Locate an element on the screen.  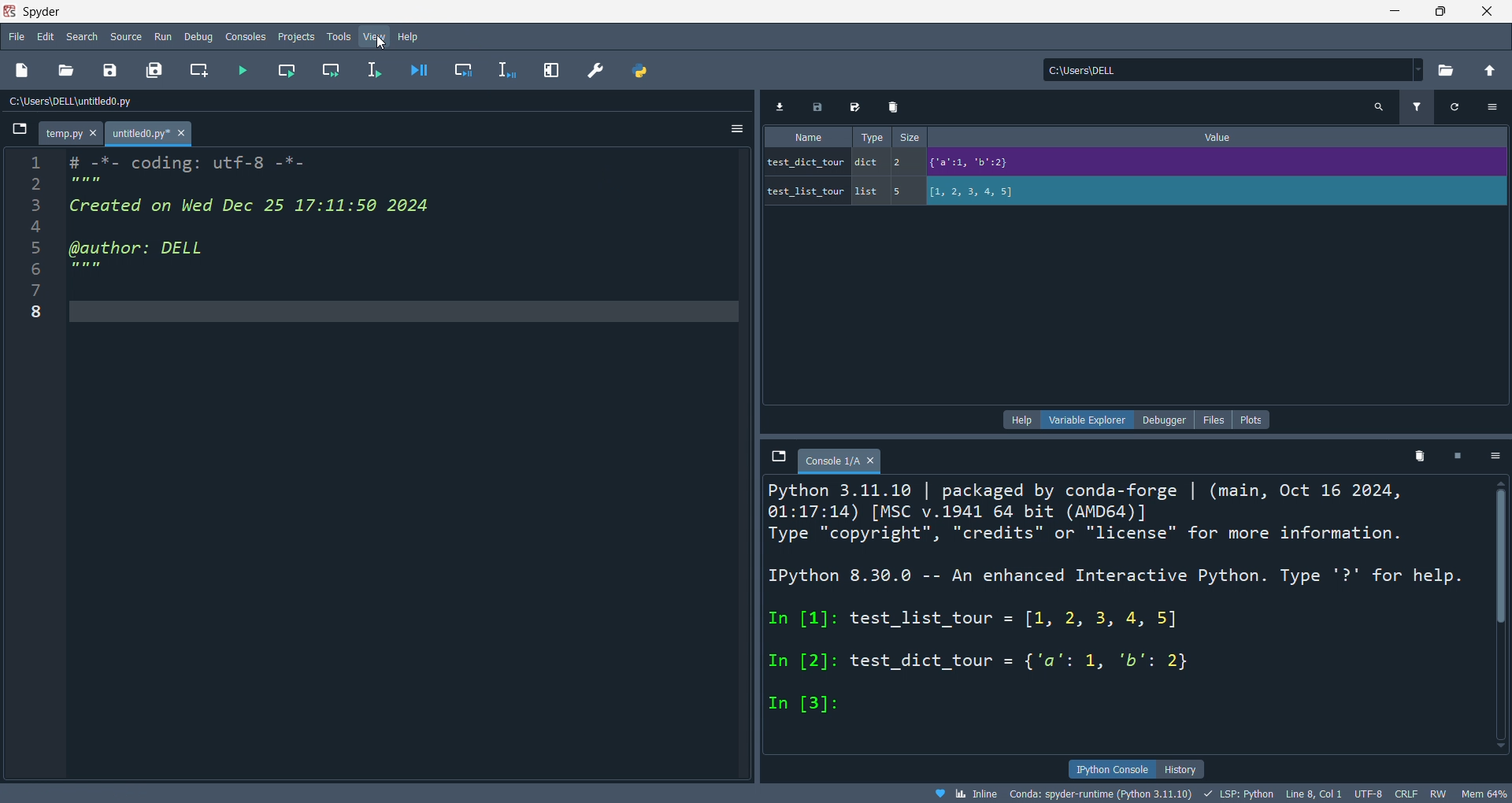
size is located at coordinates (910, 138).